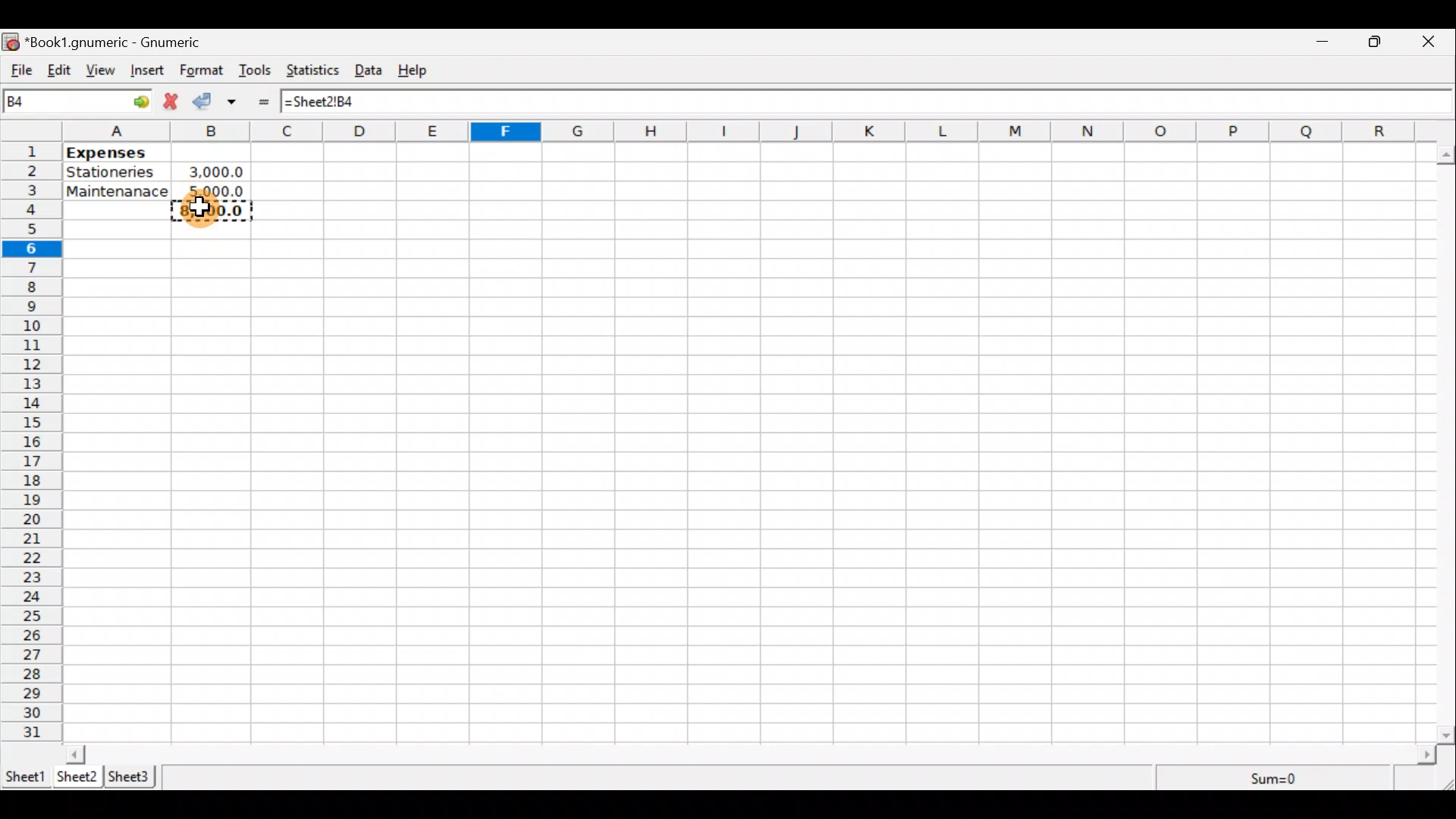 The image size is (1456, 819). What do you see at coordinates (30, 444) in the screenshot?
I see `numbering column` at bounding box center [30, 444].